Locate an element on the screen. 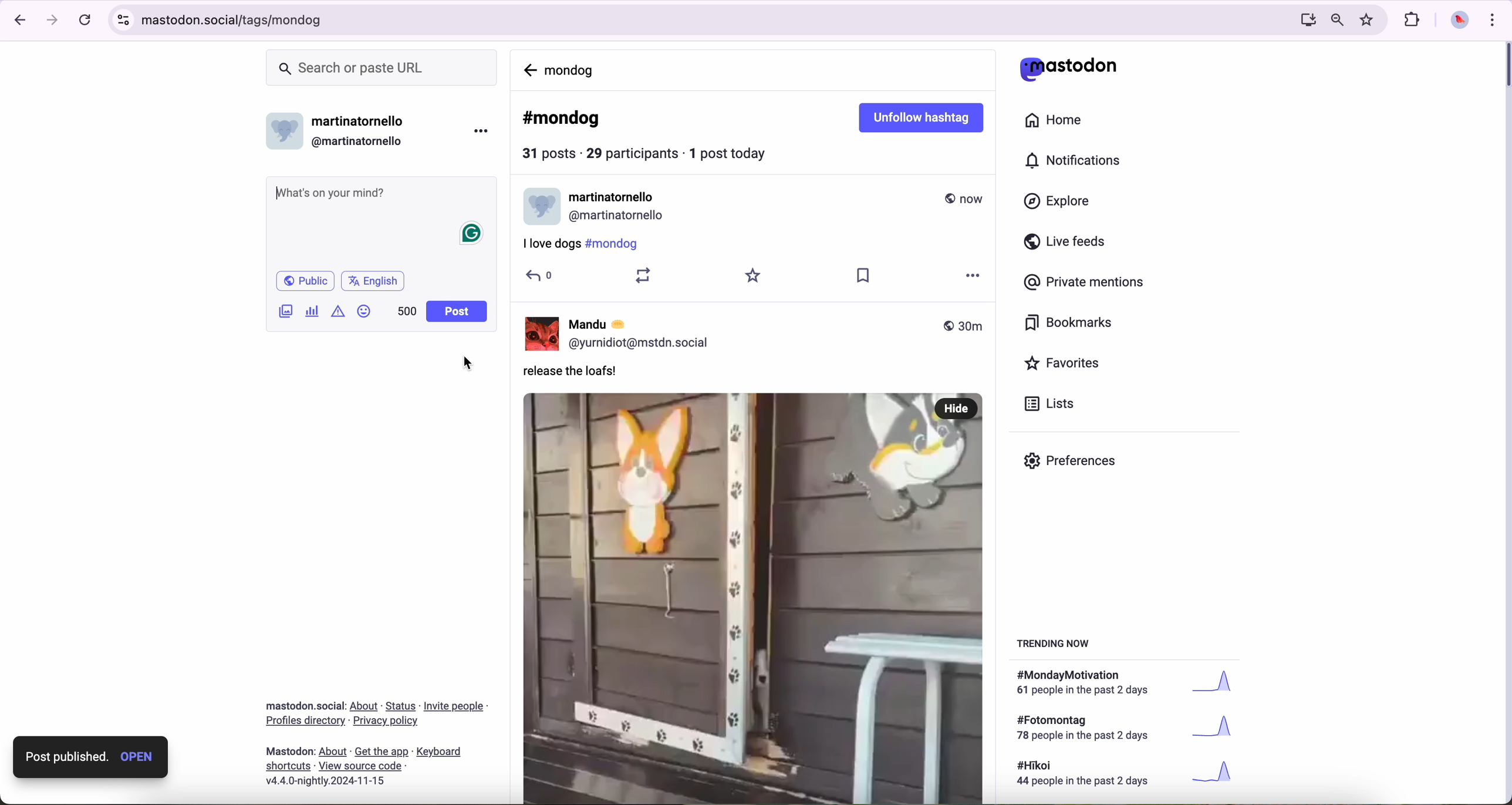 This screenshot has height=805, width=1512. 29 participants is located at coordinates (632, 153).